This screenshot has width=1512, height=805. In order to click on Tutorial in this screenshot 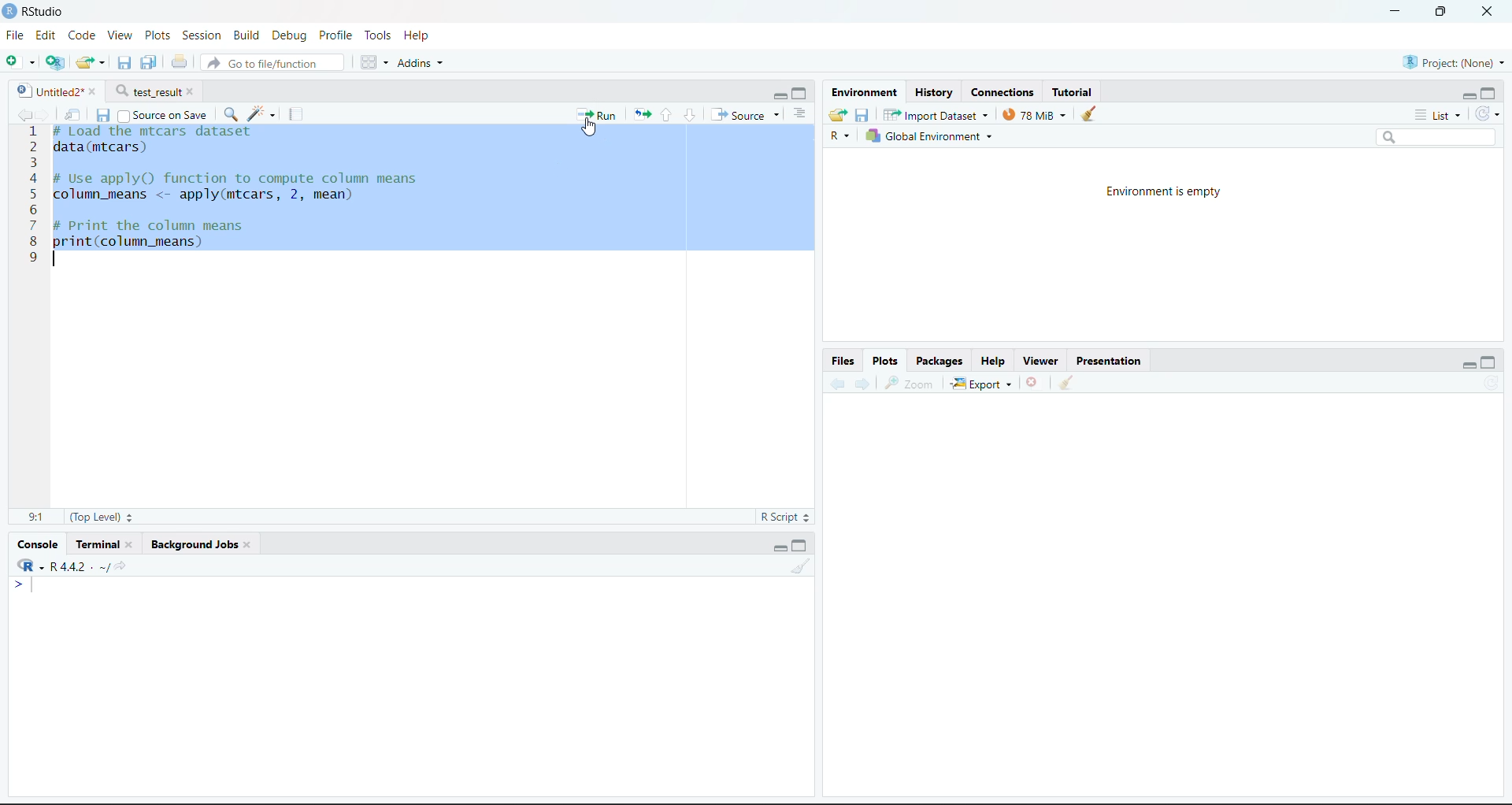, I will do `click(1077, 90)`.